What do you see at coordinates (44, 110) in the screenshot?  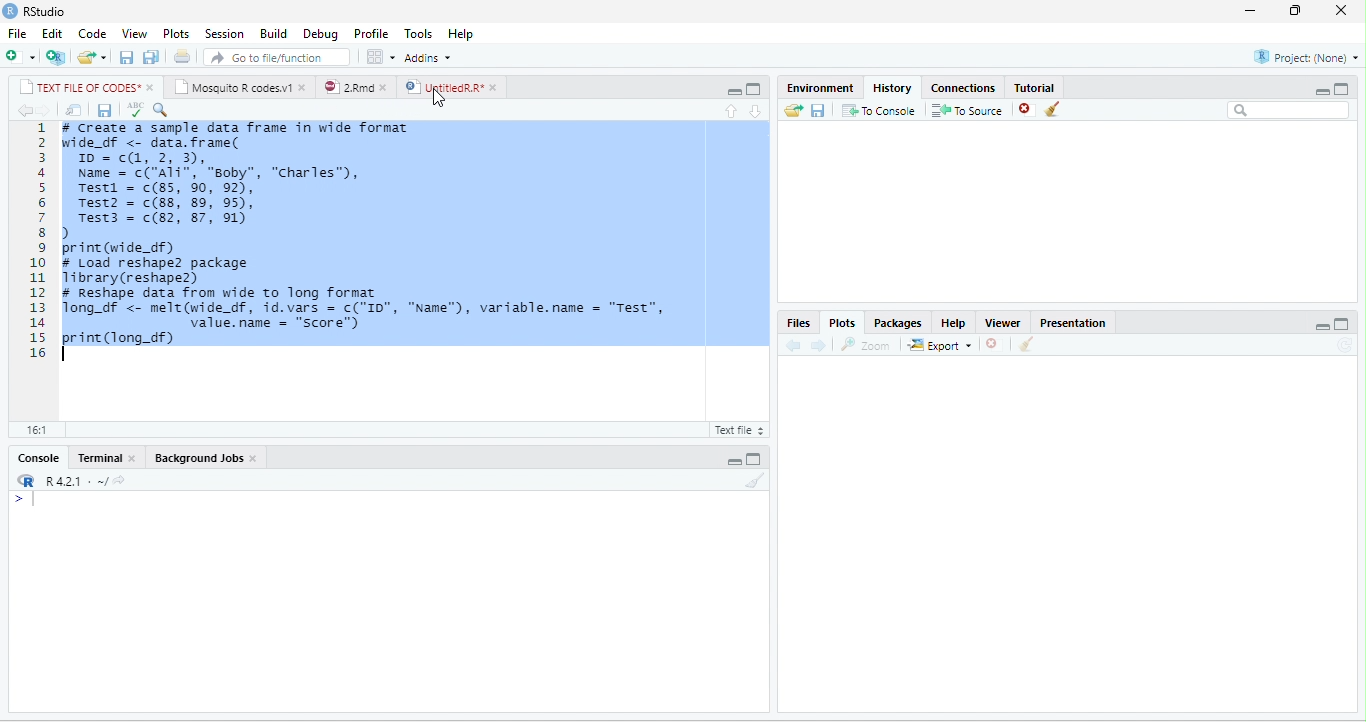 I see `forward` at bounding box center [44, 110].